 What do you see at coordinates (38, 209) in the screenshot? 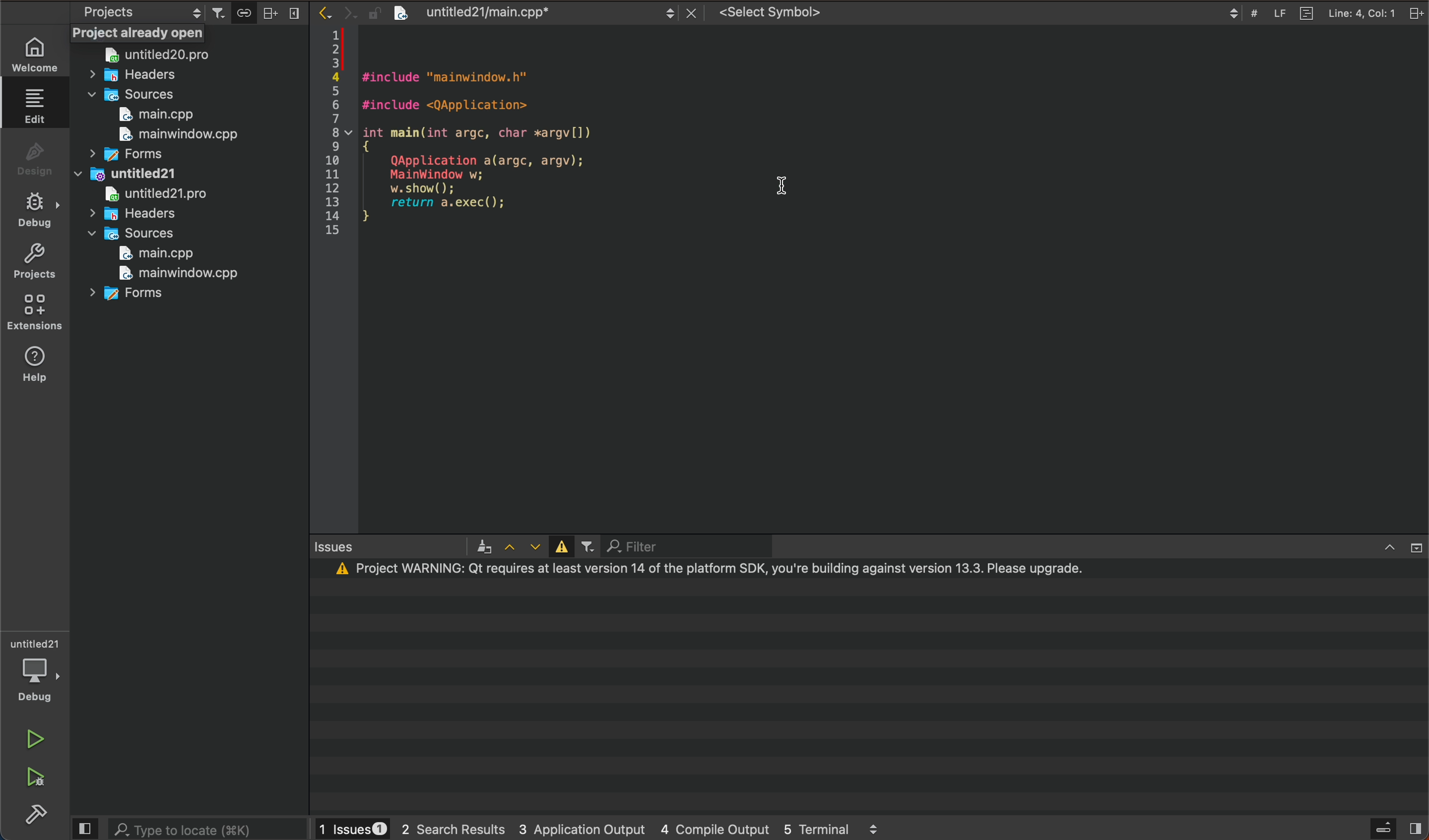
I see `debug` at bounding box center [38, 209].